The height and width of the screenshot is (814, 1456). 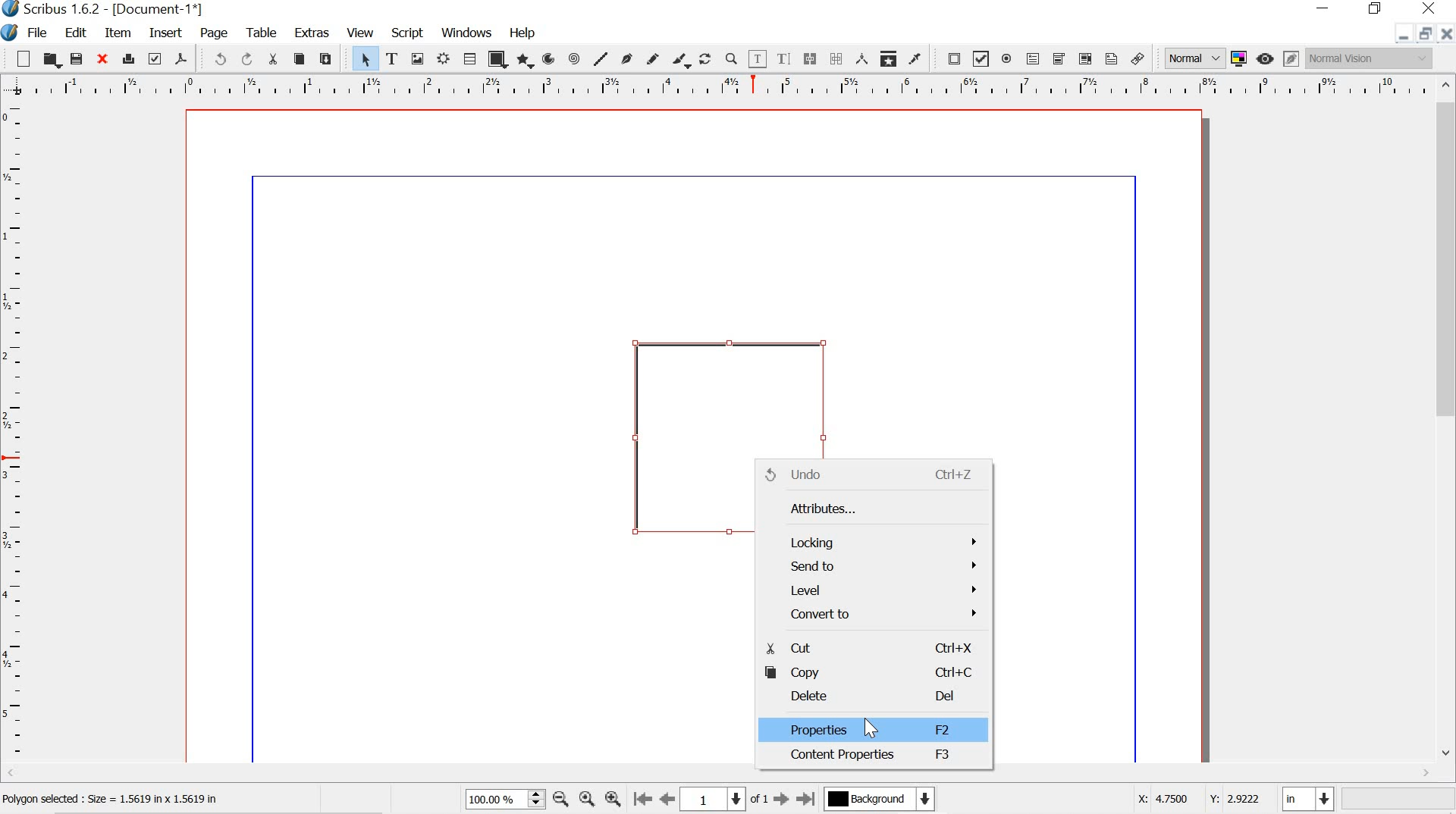 What do you see at coordinates (1401, 36) in the screenshot?
I see `minimize` at bounding box center [1401, 36].